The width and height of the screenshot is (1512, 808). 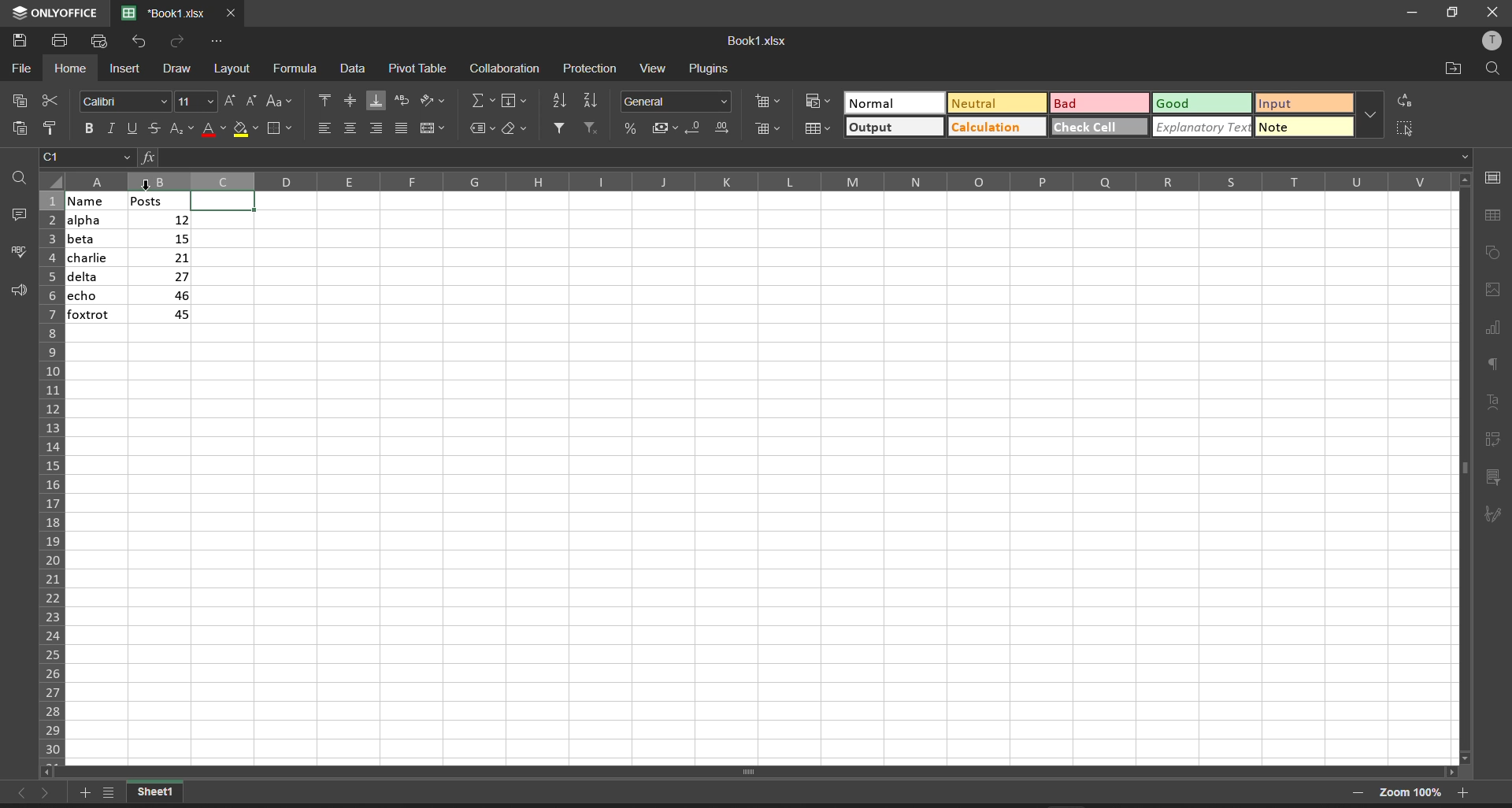 What do you see at coordinates (176, 42) in the screenshot?
I see `redo` at bounding box center [176, 42].